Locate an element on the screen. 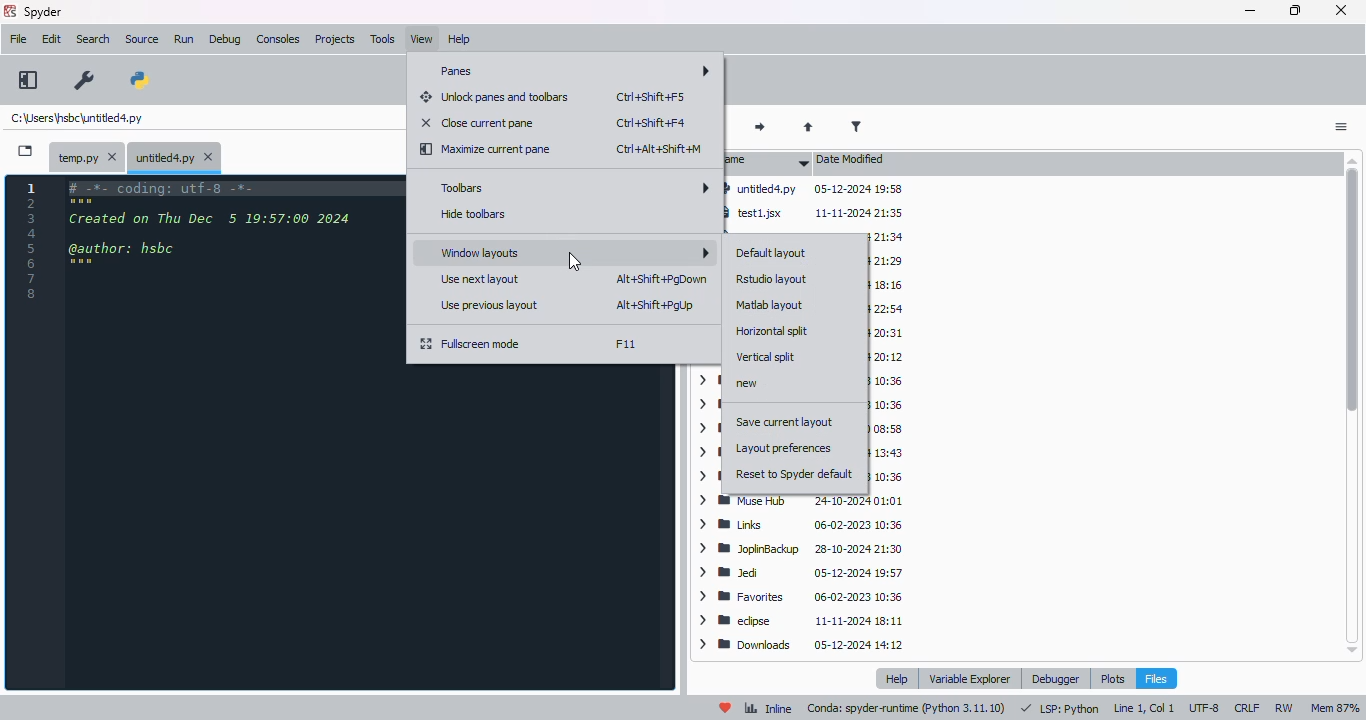 The image size is (1366, 720). reset to spyder default is located at coordinates (795, 474).